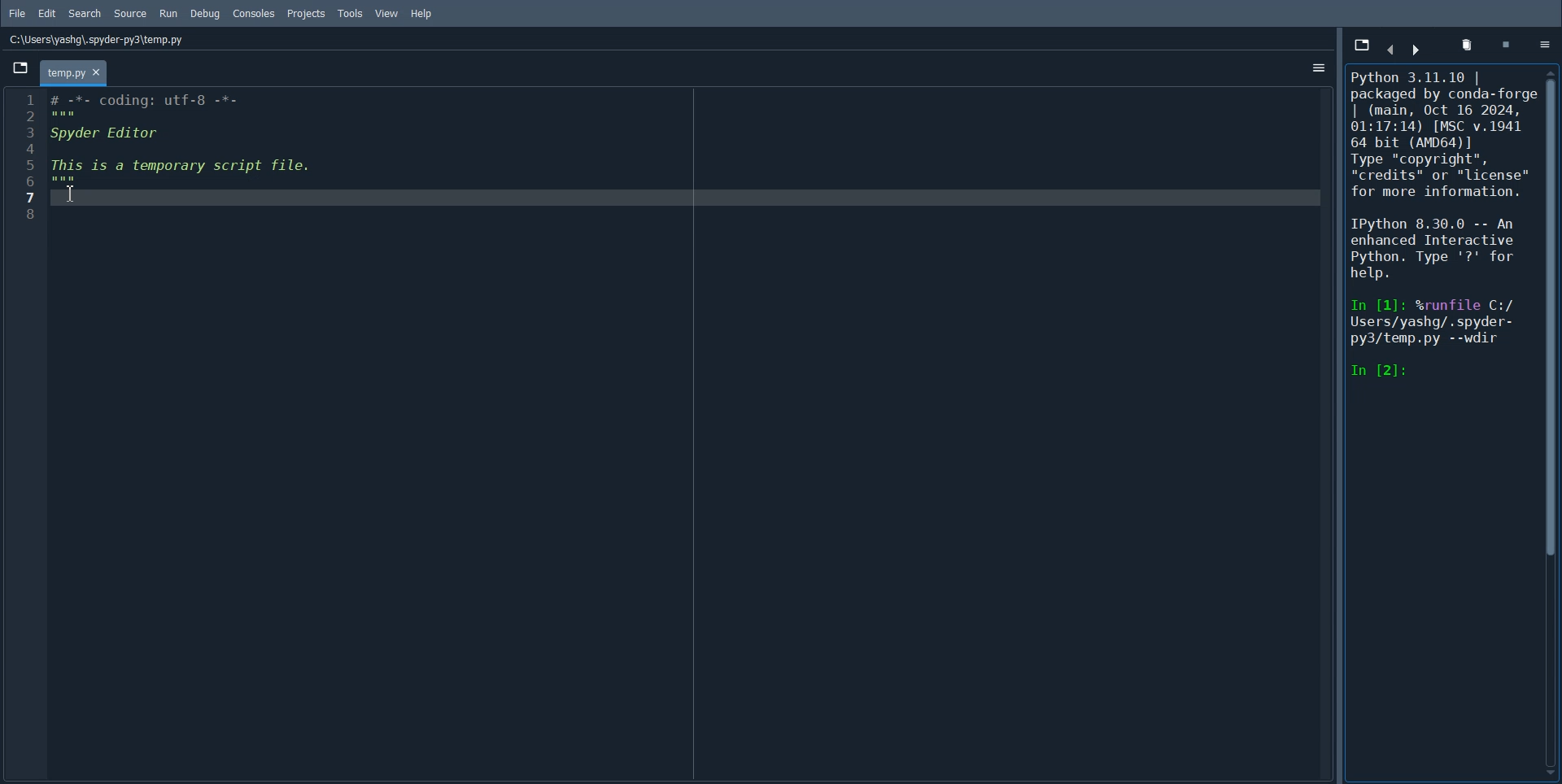 The image size is (1562, 784). I want to click on temp.py, so click(75, 72).